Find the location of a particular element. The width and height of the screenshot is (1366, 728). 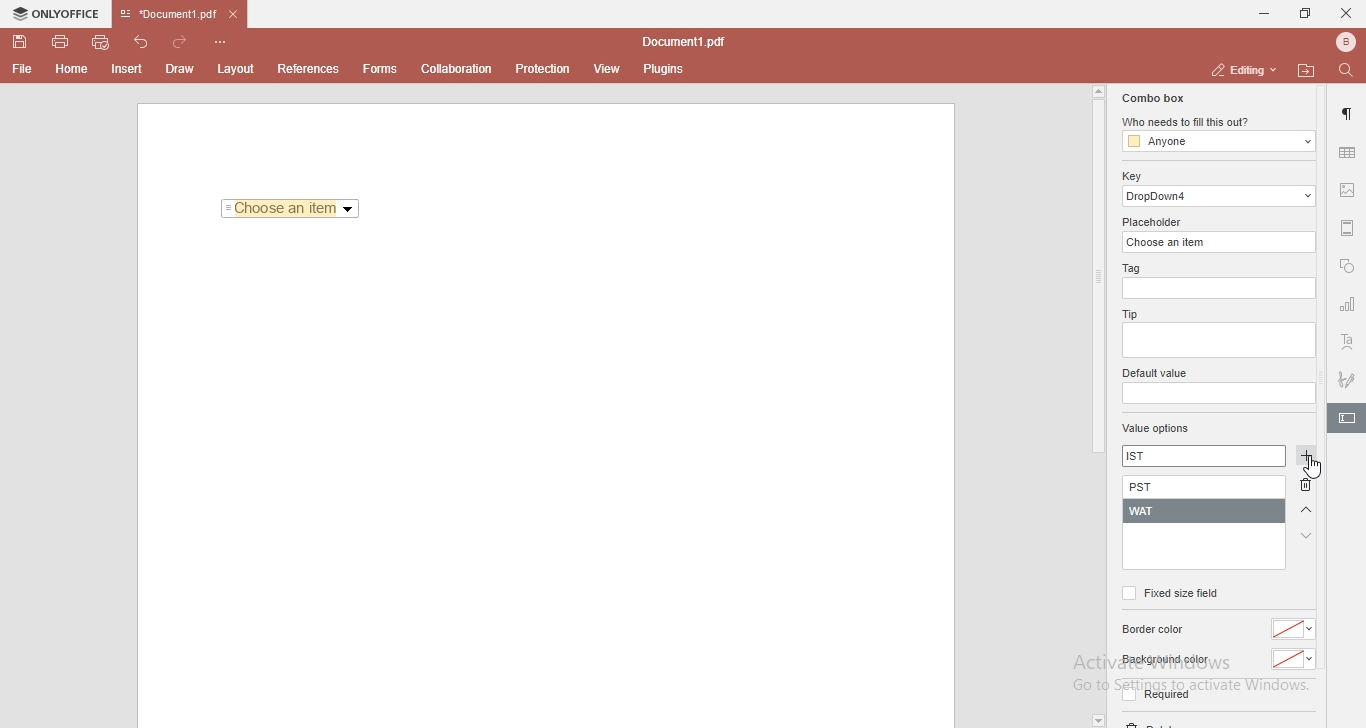

Insert is located at coordinates (127, 70).